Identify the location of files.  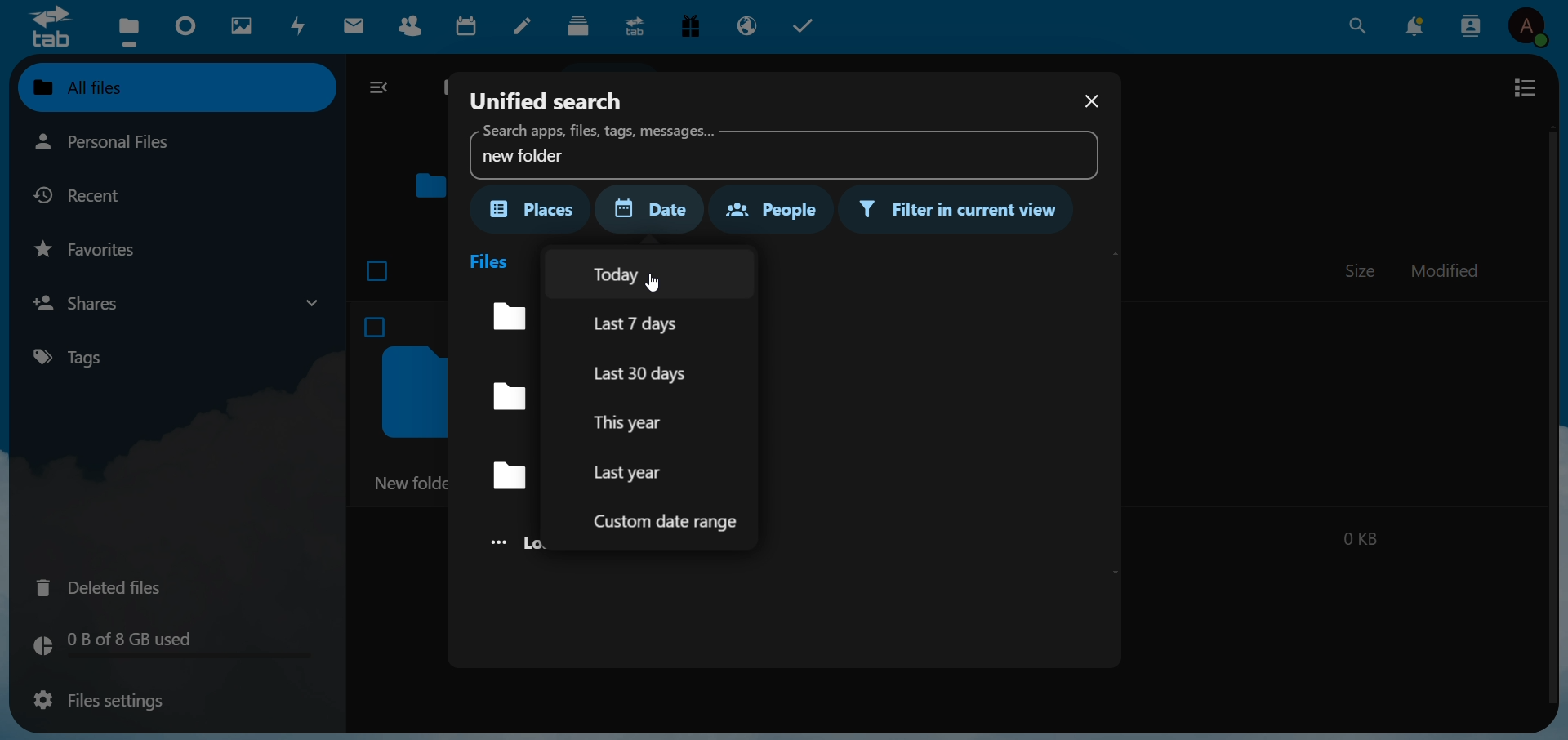
(127, 30).